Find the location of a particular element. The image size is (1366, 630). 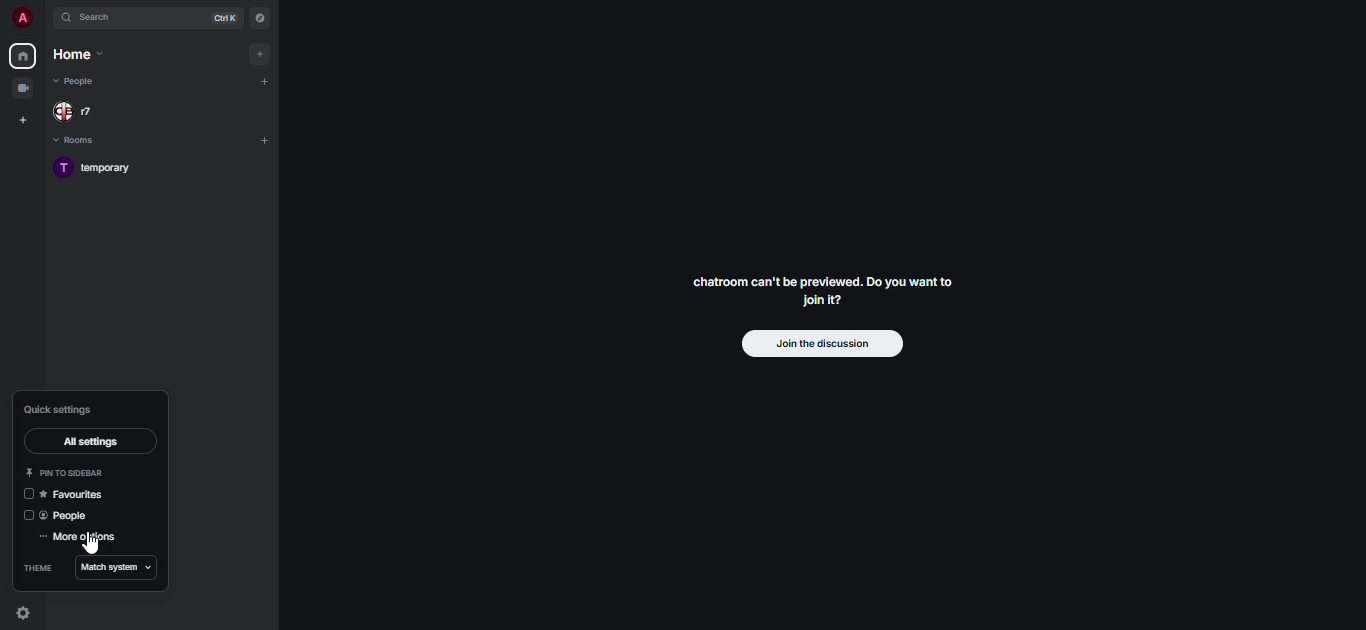

search is located at coordinates (100, 19).